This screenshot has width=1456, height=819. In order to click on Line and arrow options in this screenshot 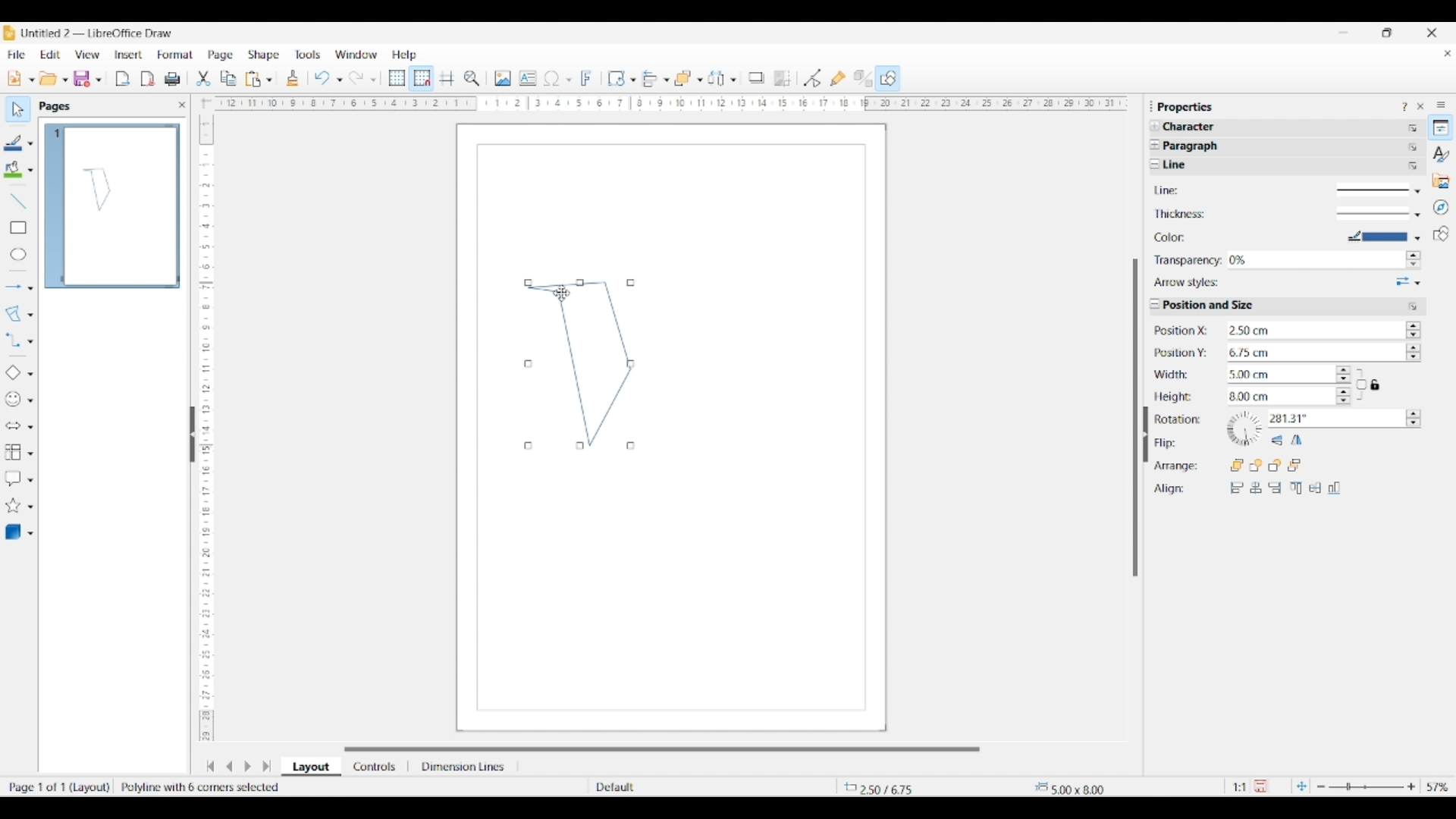, I will do `click(30, 288)`.